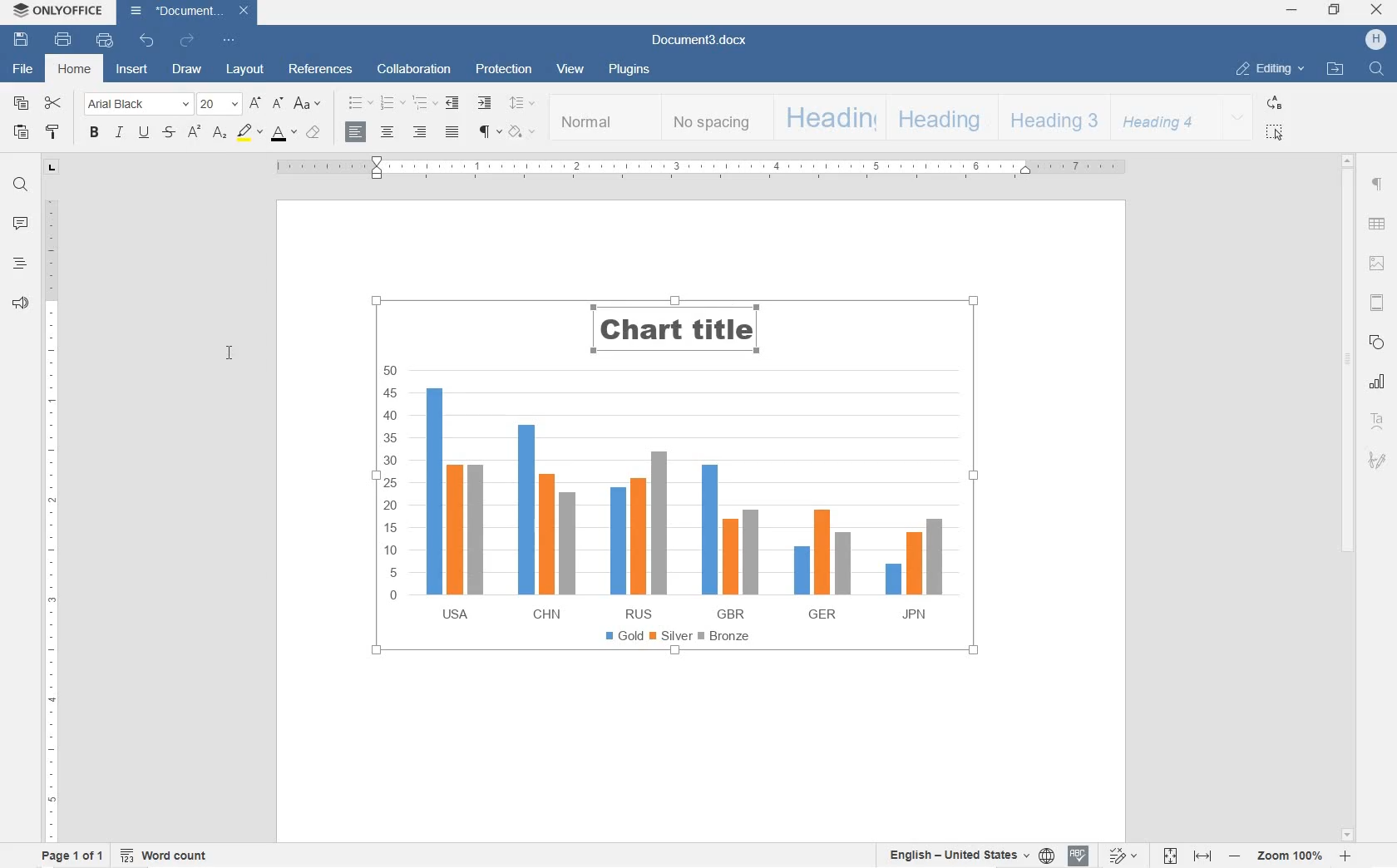 The image size is (1397, 868). I want to click on subscript, so click(220, 134).